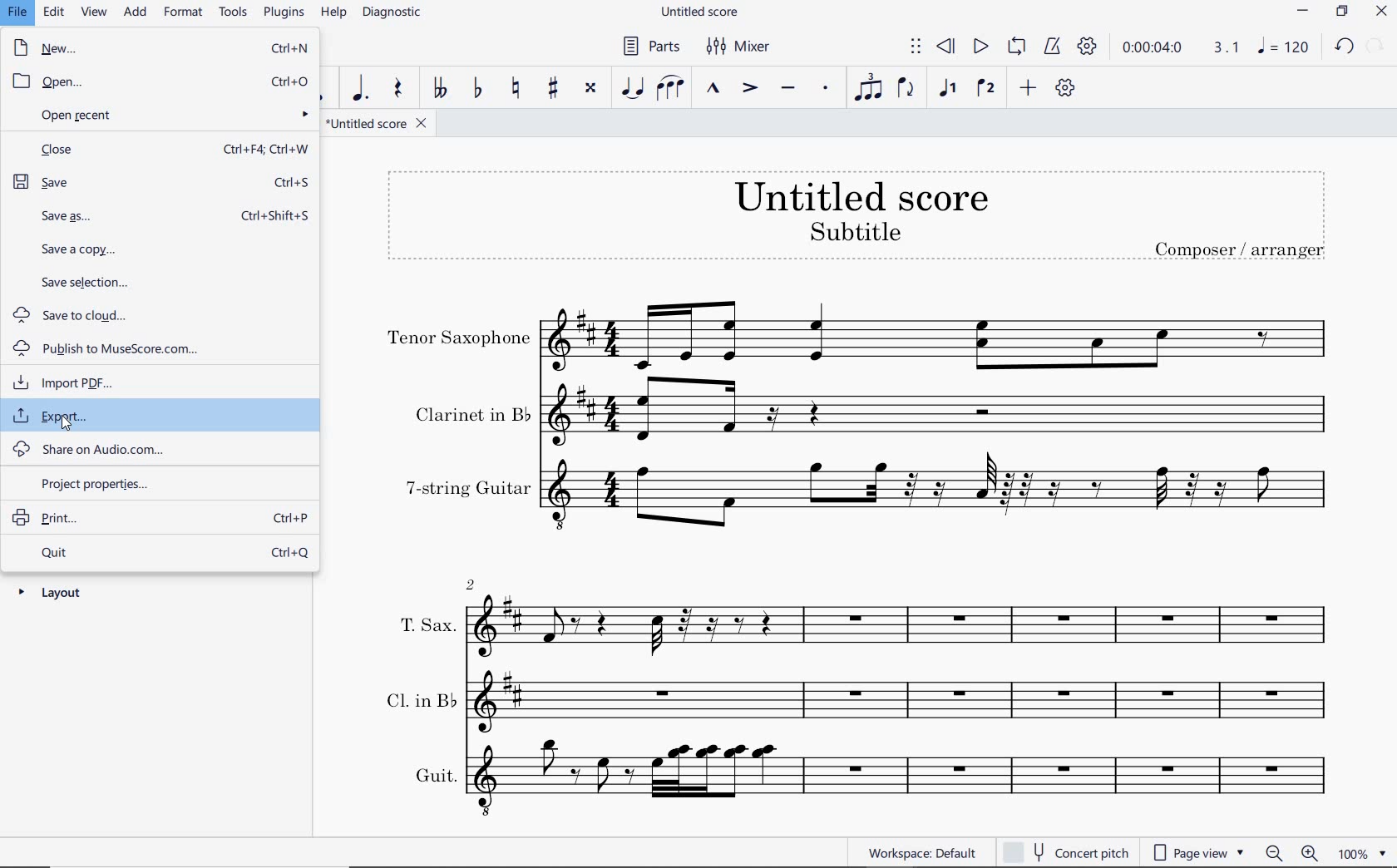 The height and width of the screenshot is (868, 1397). Describe the element at coordinates (1291, 852) in the screenshot. I see `zoom in or zoom out` at that location.